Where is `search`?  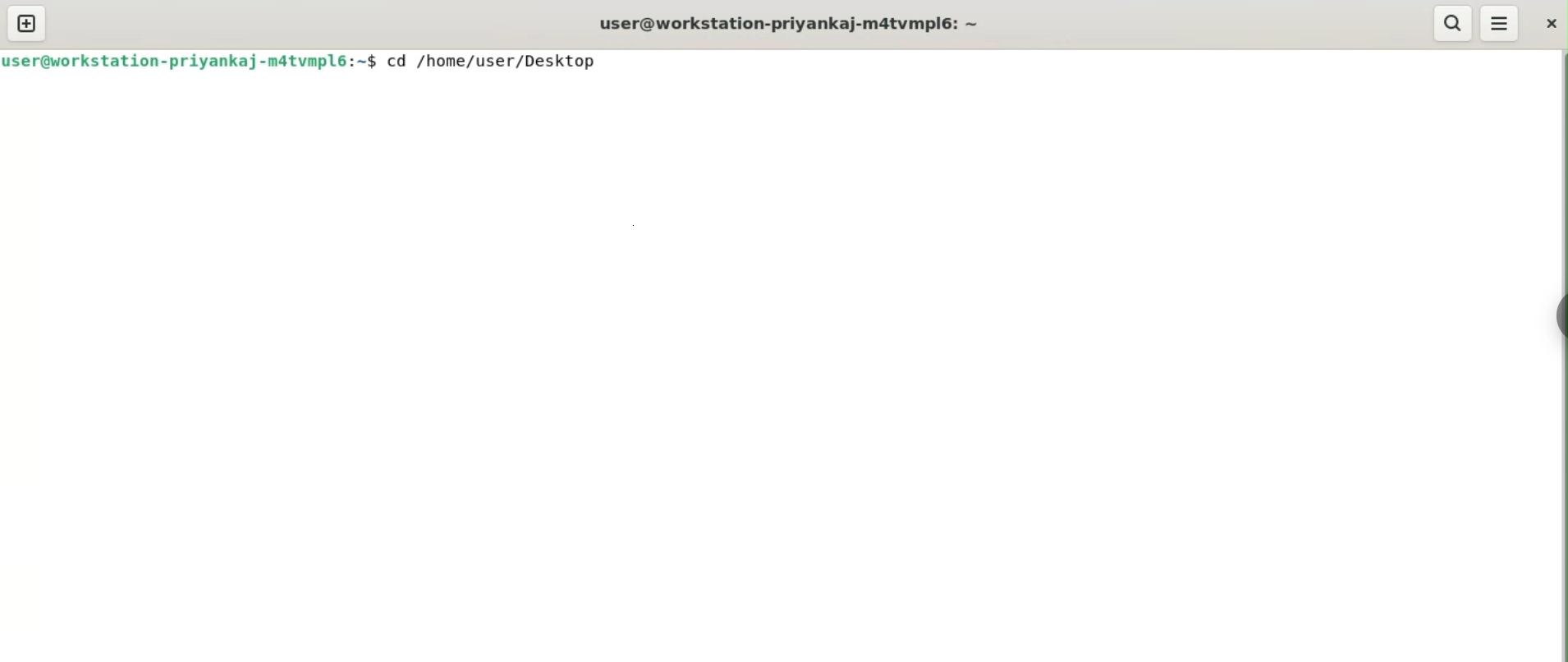
search is located at coordinates (1451, 24).